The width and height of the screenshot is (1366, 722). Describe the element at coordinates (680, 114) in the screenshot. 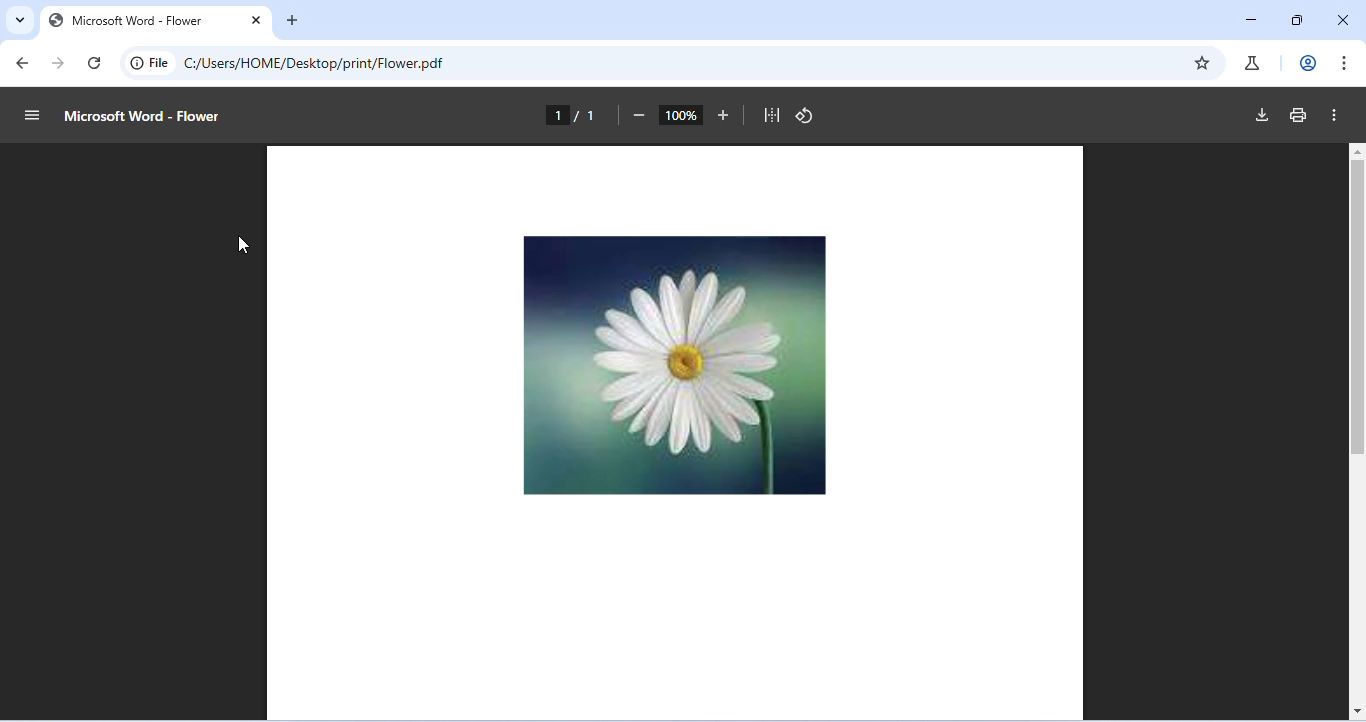

I see `zoom` at that location.